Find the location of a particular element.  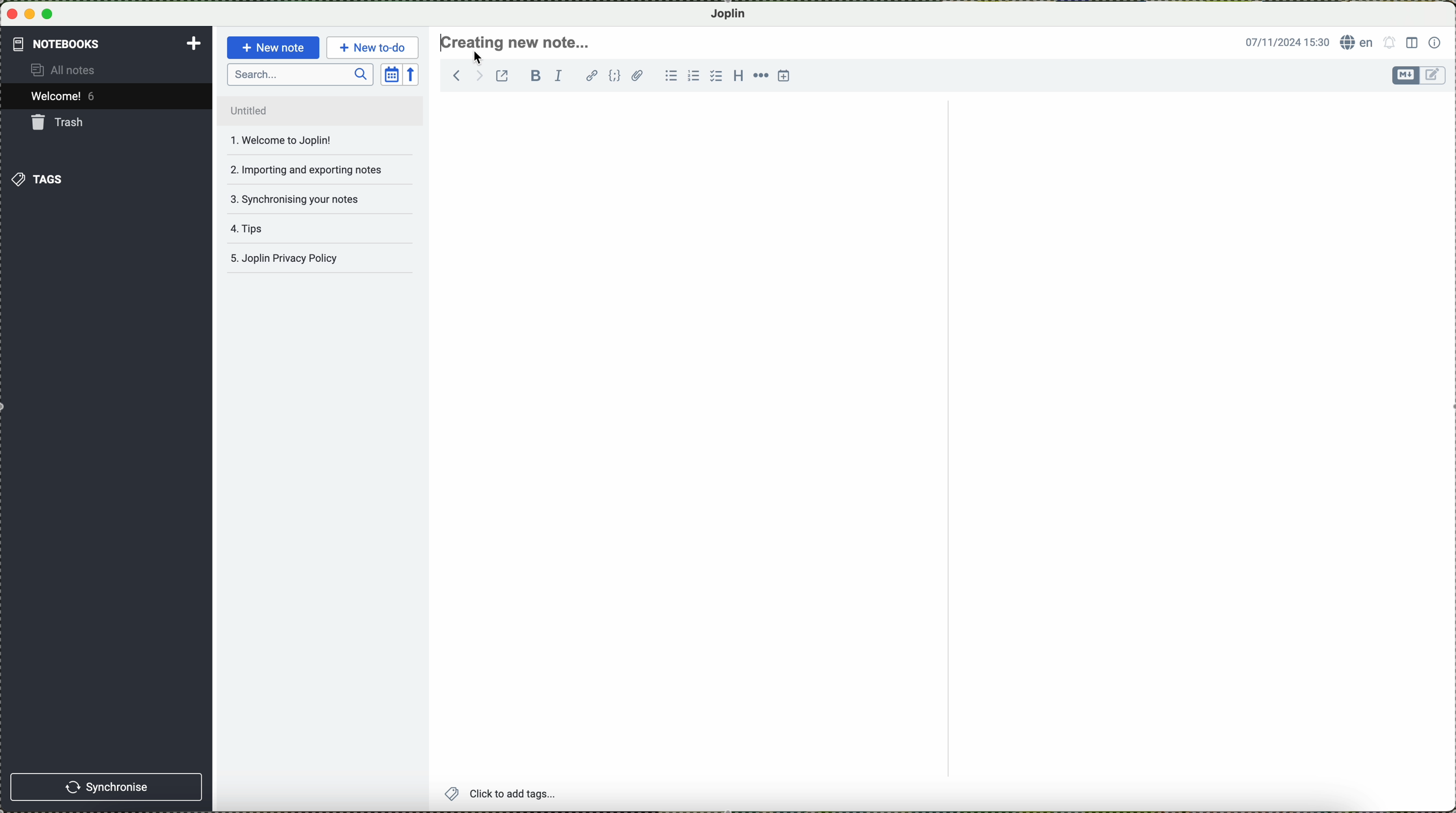

note properties is located at coordinates (1435, 41).